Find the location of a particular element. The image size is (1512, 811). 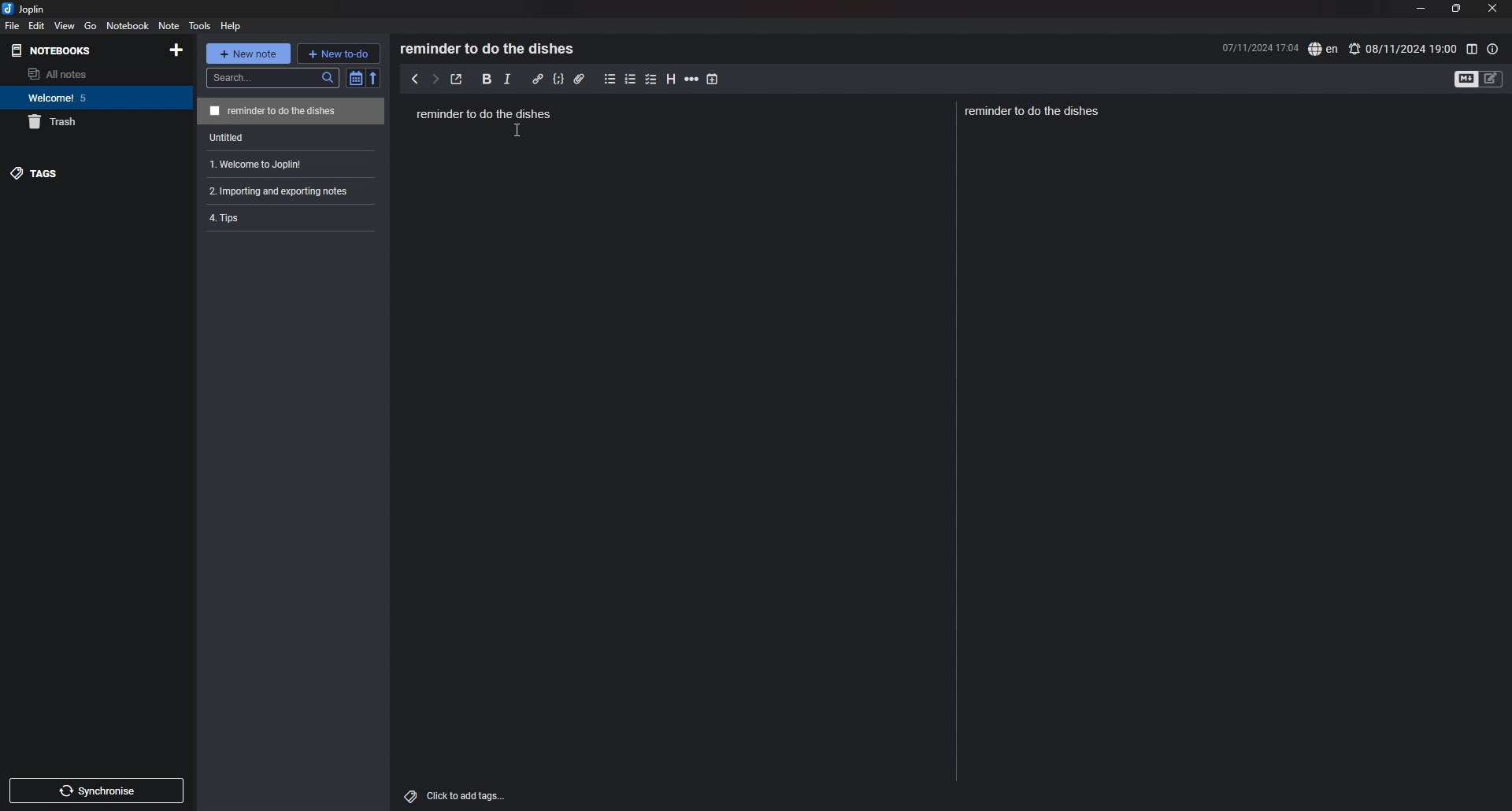

italic is located at coordinates (508, 80).